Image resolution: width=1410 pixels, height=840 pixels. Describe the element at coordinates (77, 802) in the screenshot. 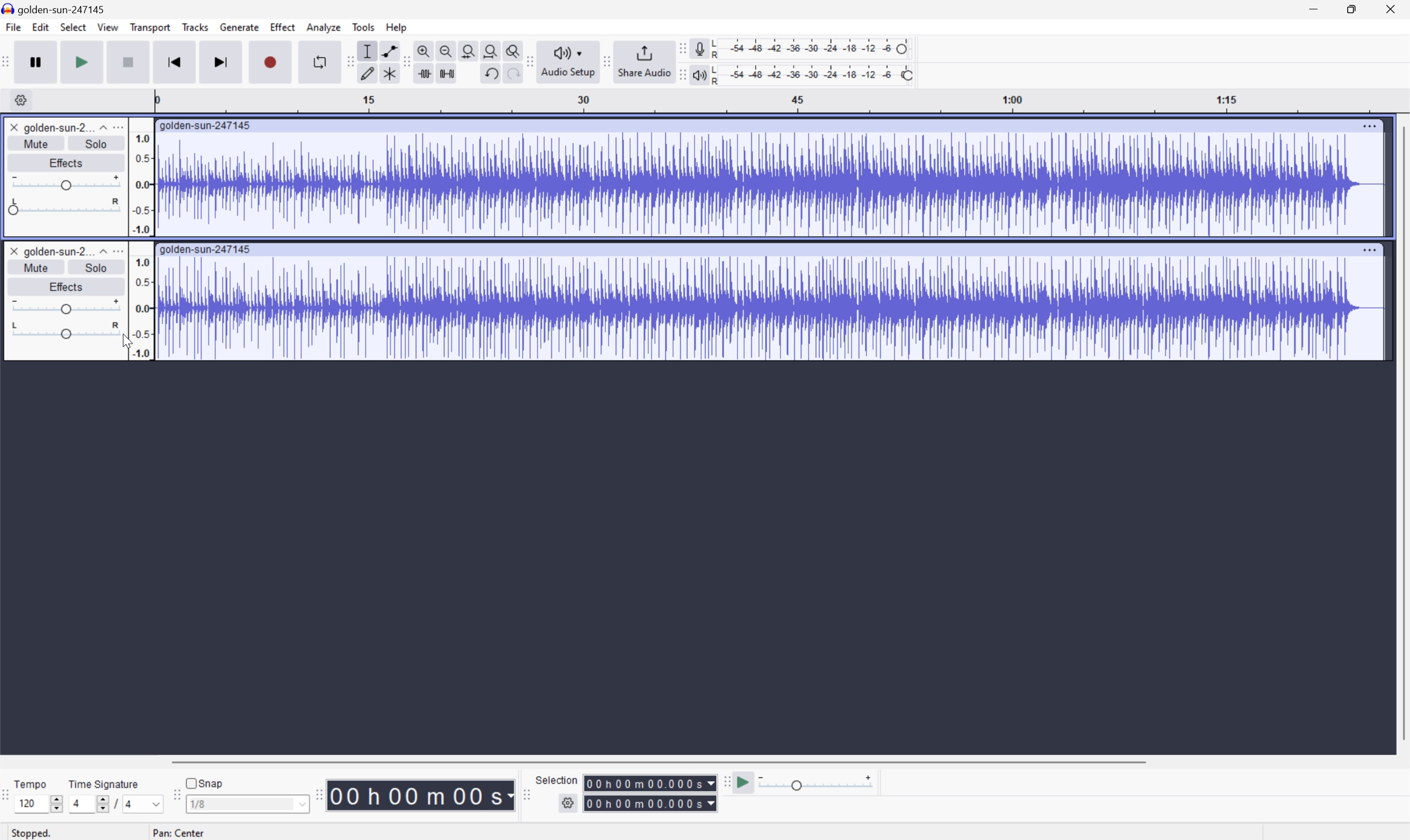

I see `4` at that location.